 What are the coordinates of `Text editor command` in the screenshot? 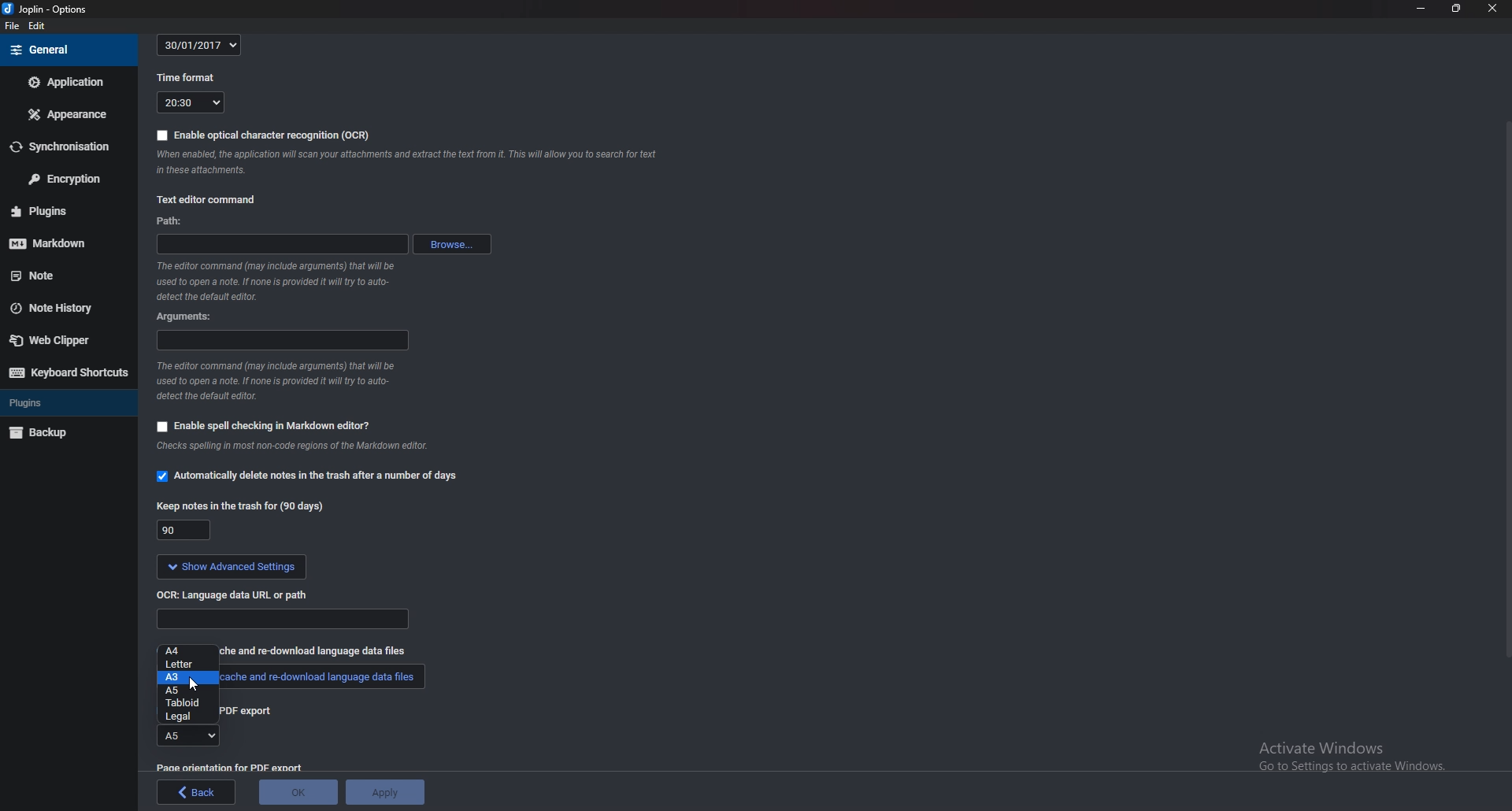 It's located at (209, 198).